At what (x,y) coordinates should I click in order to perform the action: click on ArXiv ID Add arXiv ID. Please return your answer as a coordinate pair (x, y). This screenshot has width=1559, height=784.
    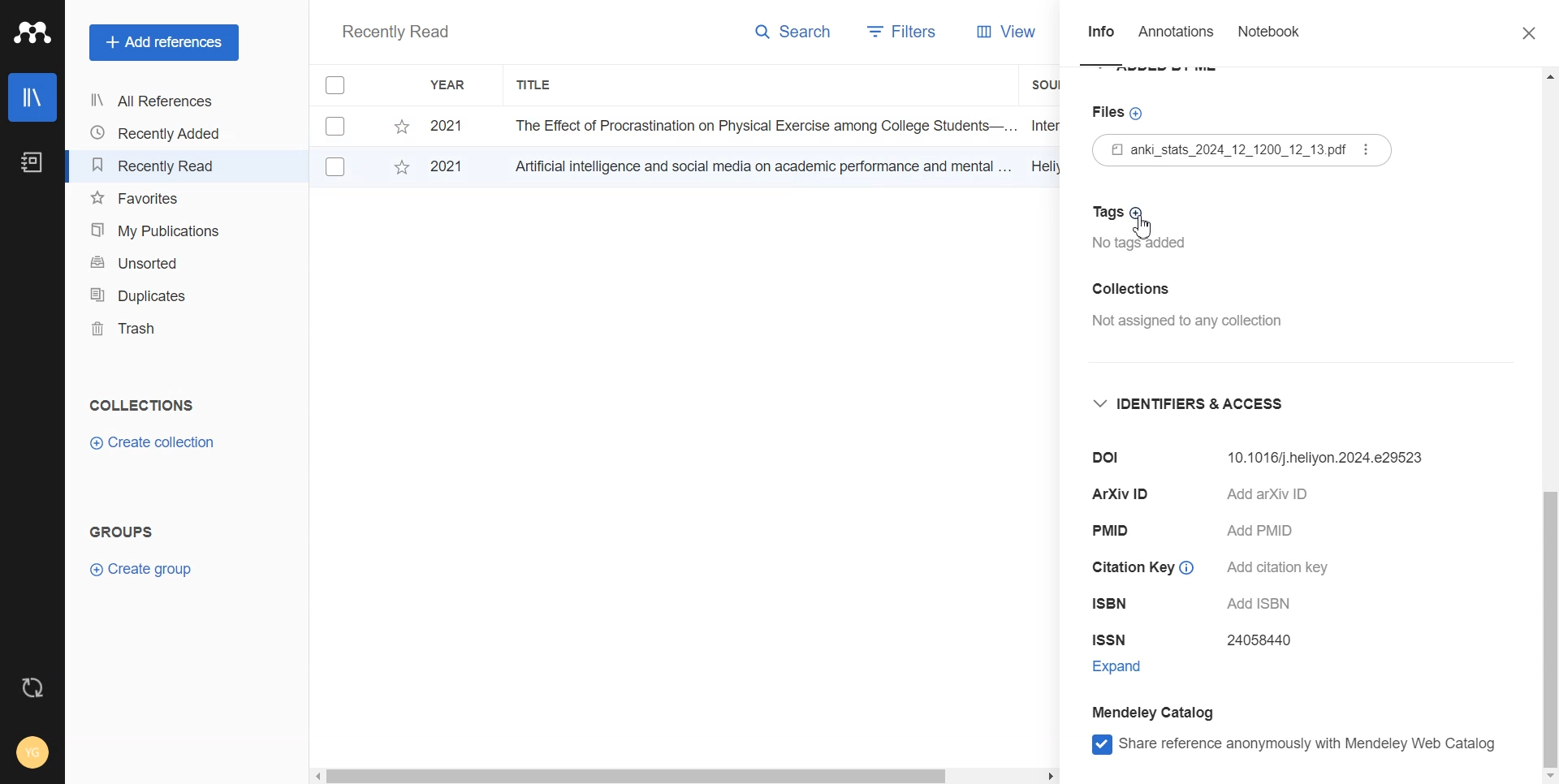
    Looking at the image, I should click on (1224, 498).